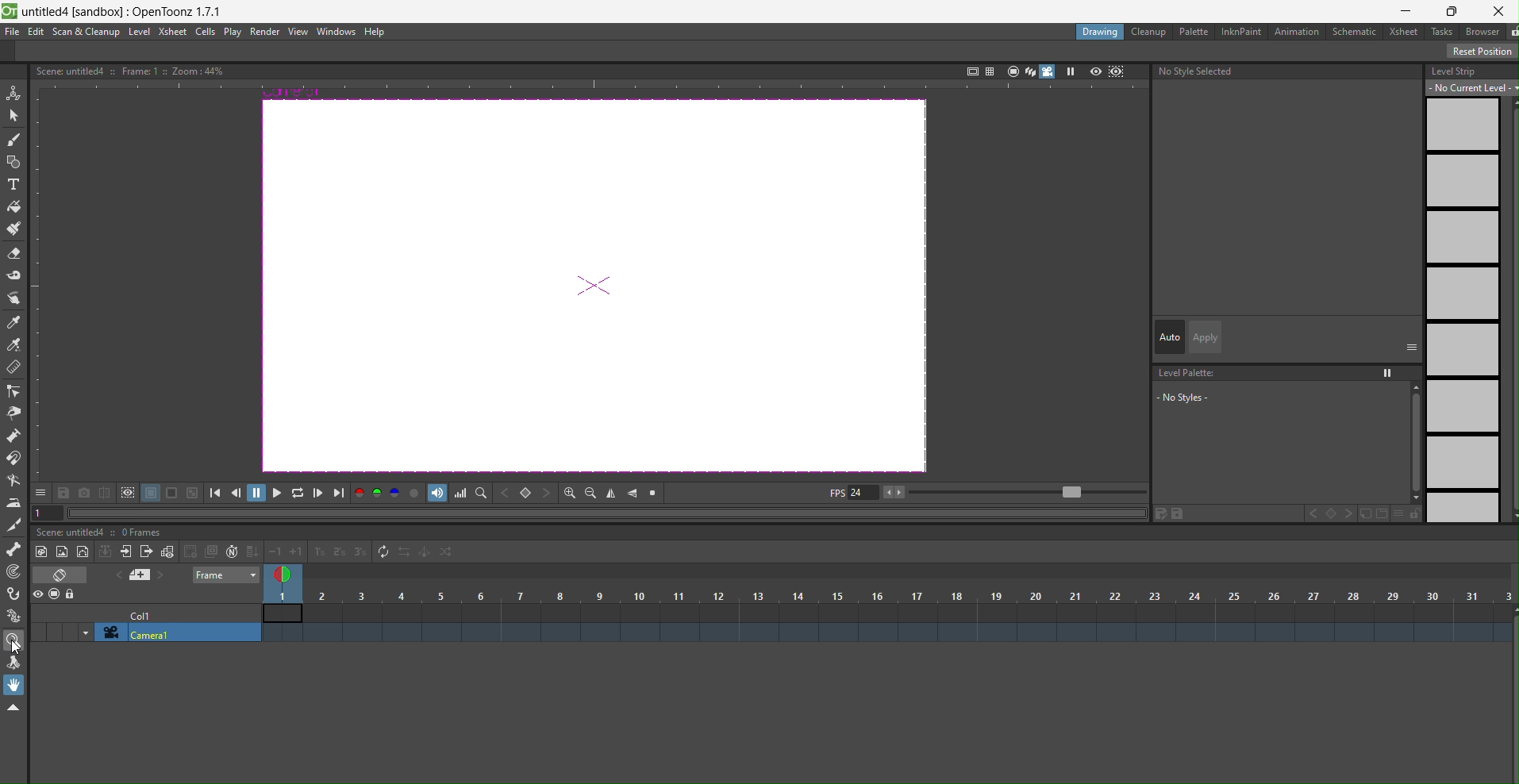 The height and width of the screenshot is (784, 1519). What do you see at coordinates (141, 576) in the screenshot?
I see `icon` at bounding box center [141, 576].